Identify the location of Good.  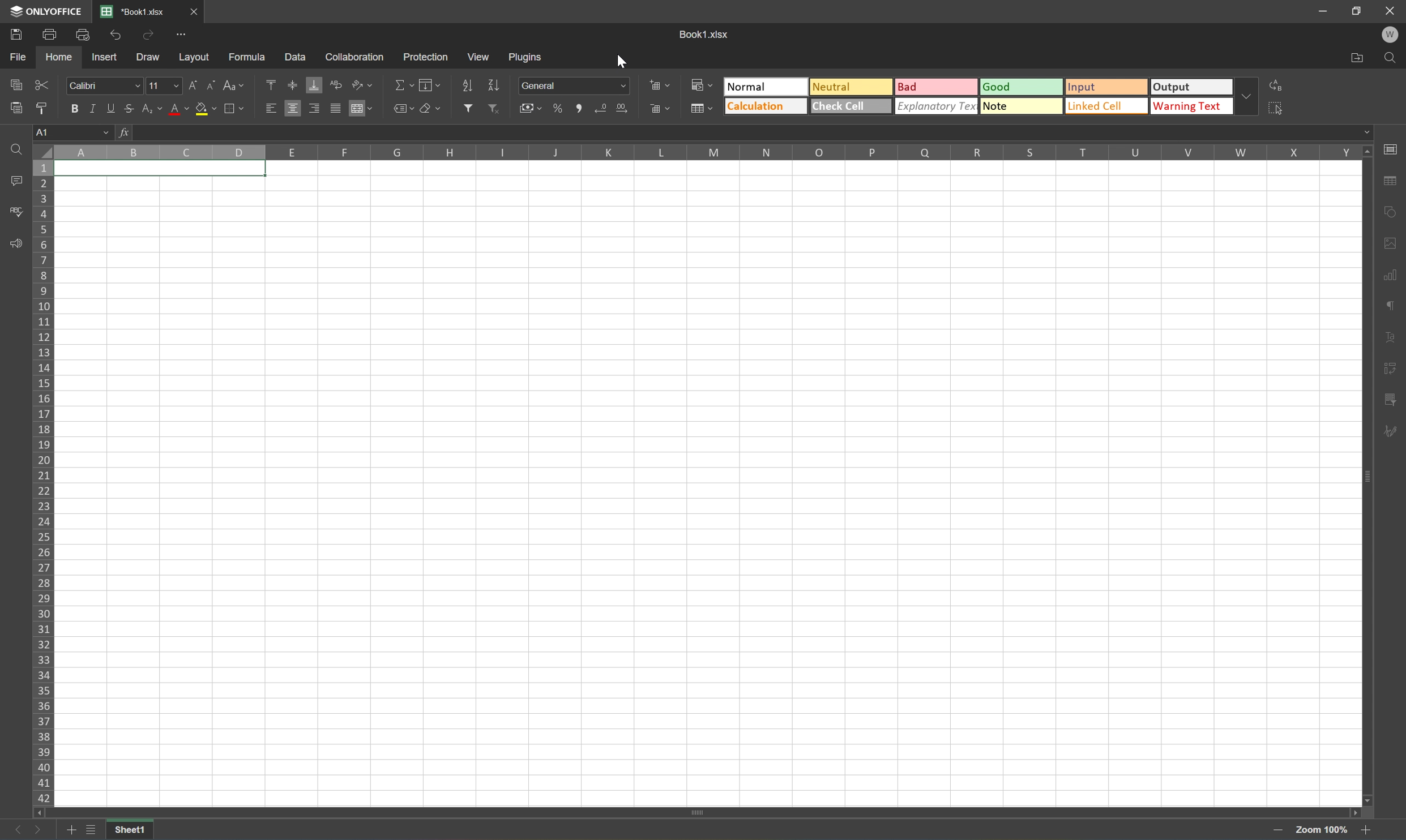
(1023, 86).